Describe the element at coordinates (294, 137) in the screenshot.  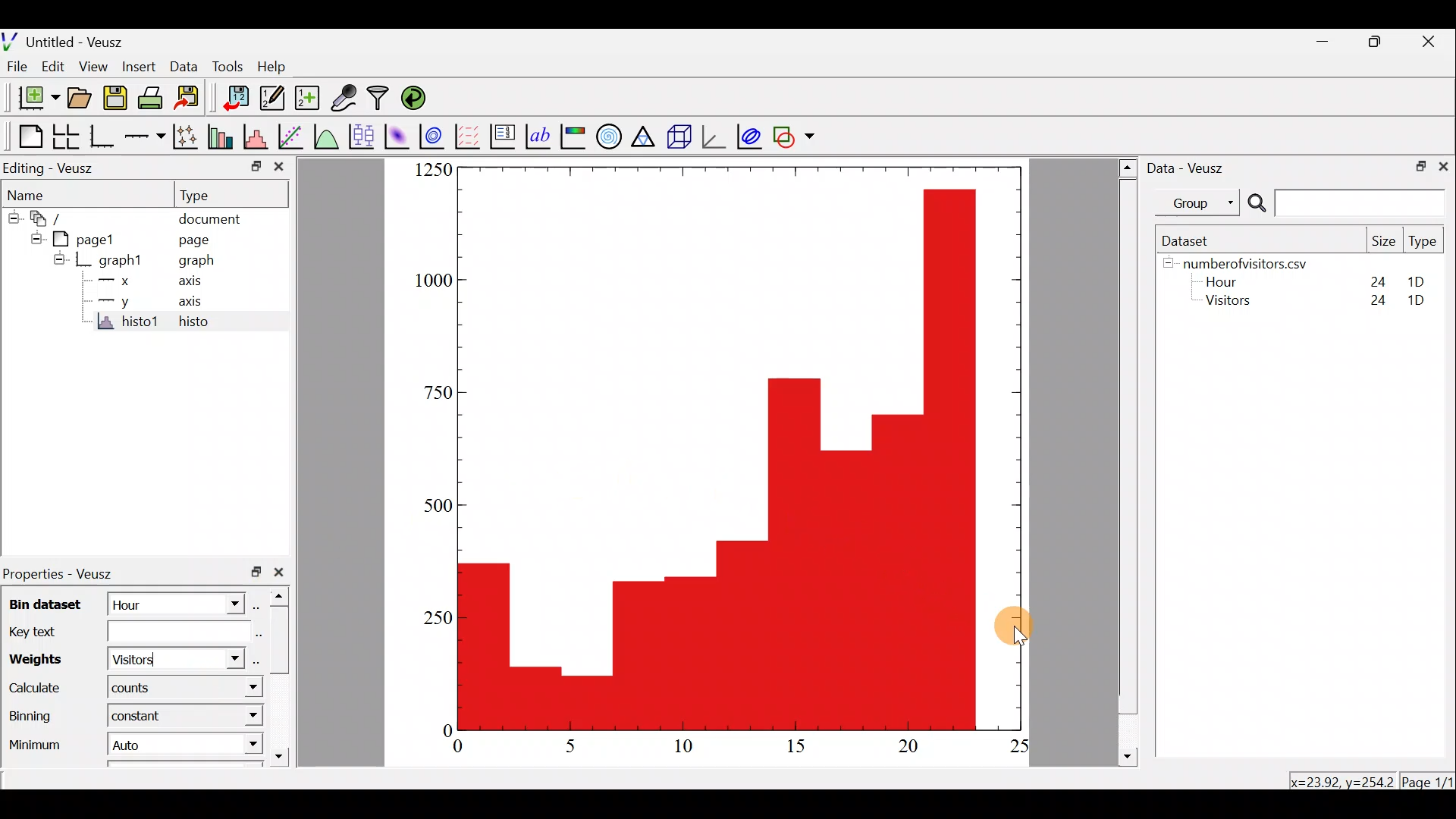
I see `fit a function to data` at that location.